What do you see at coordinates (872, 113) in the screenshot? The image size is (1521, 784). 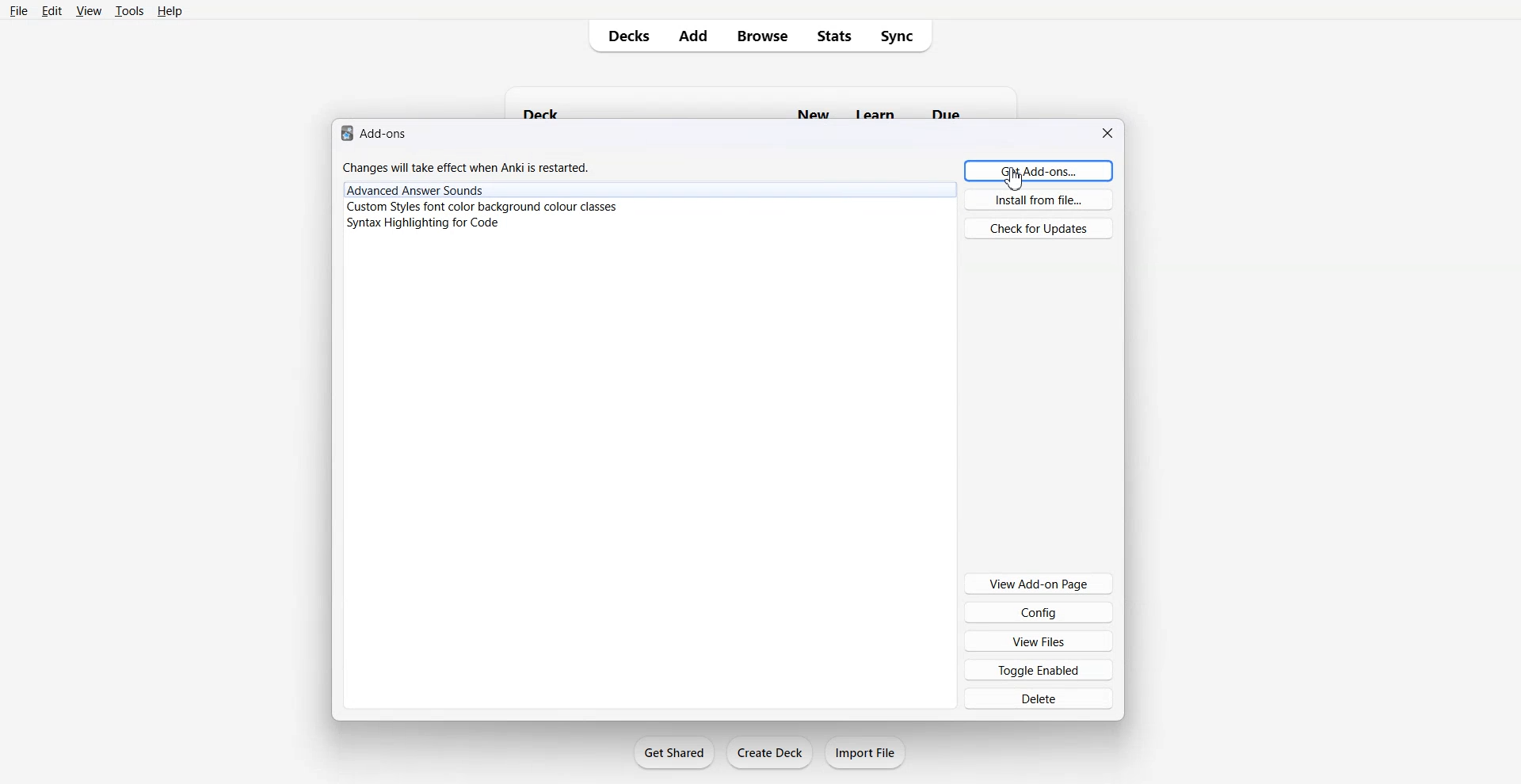 I see `learn` at bounding box center [872, 113].